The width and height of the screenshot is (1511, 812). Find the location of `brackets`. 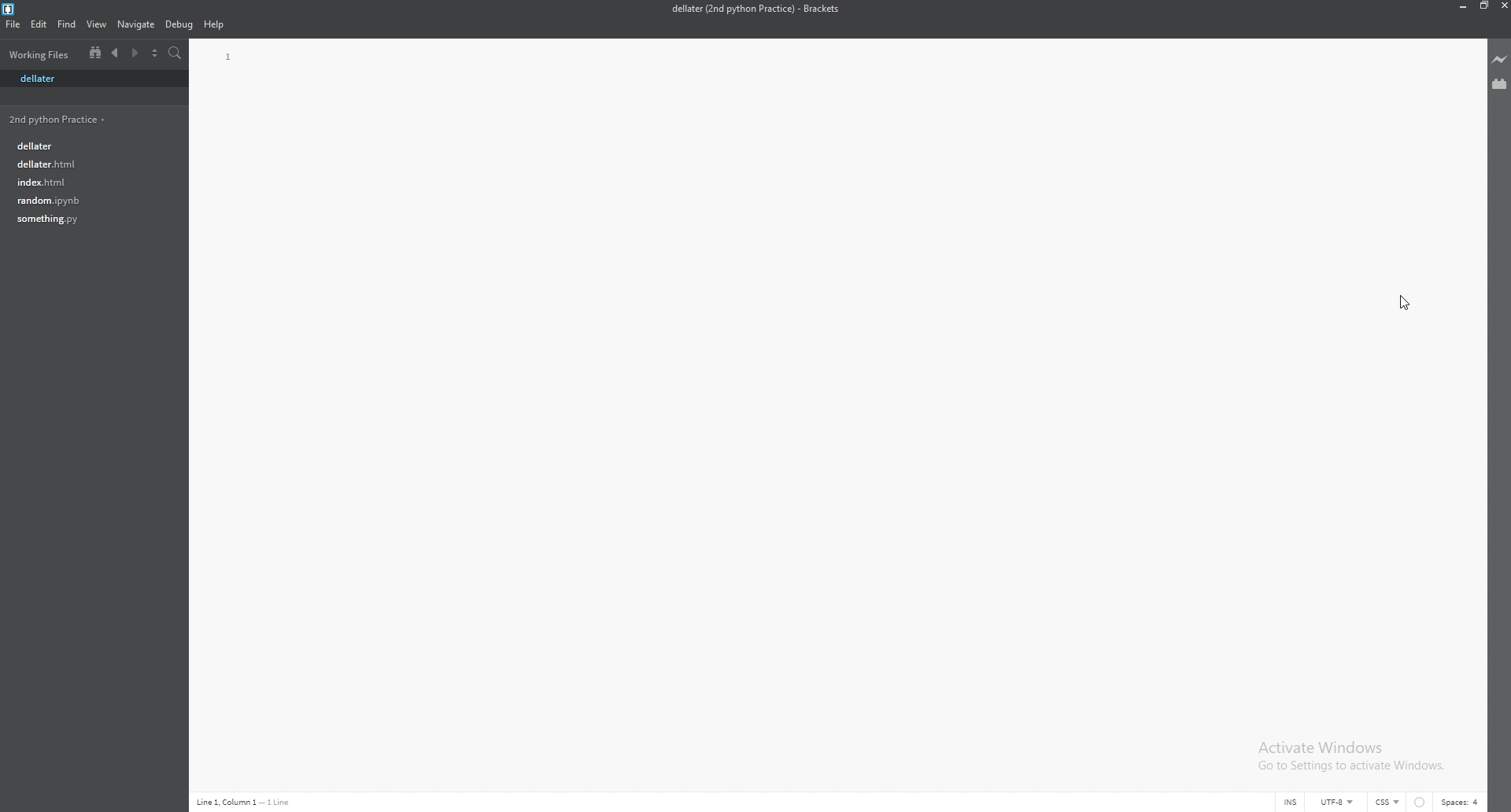

brackets is located at coordinates (9, 9).